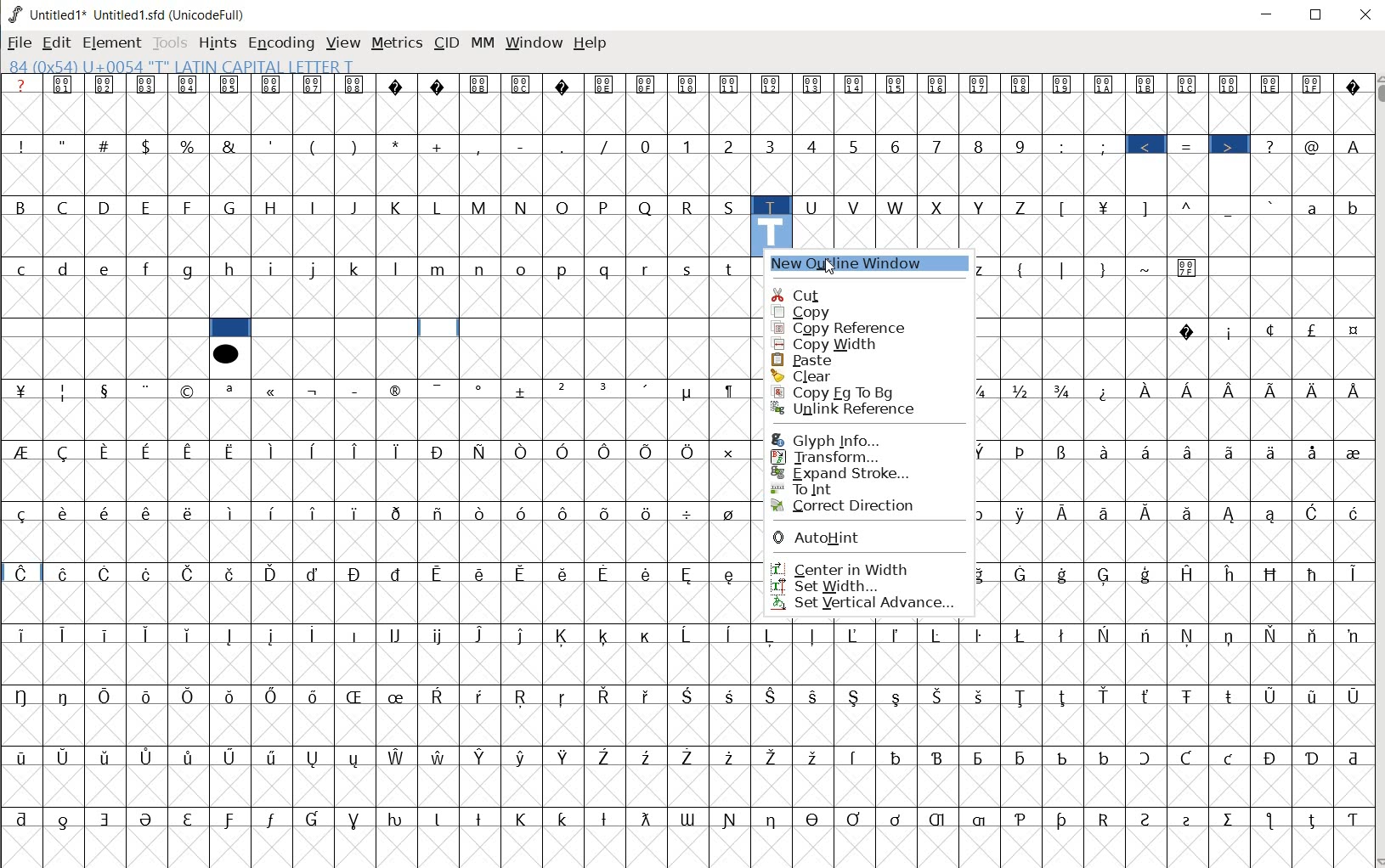  What do you see at coordinates (315, 513) in the screenshot?
I see `Symbol` at bounding box center [315, 513].